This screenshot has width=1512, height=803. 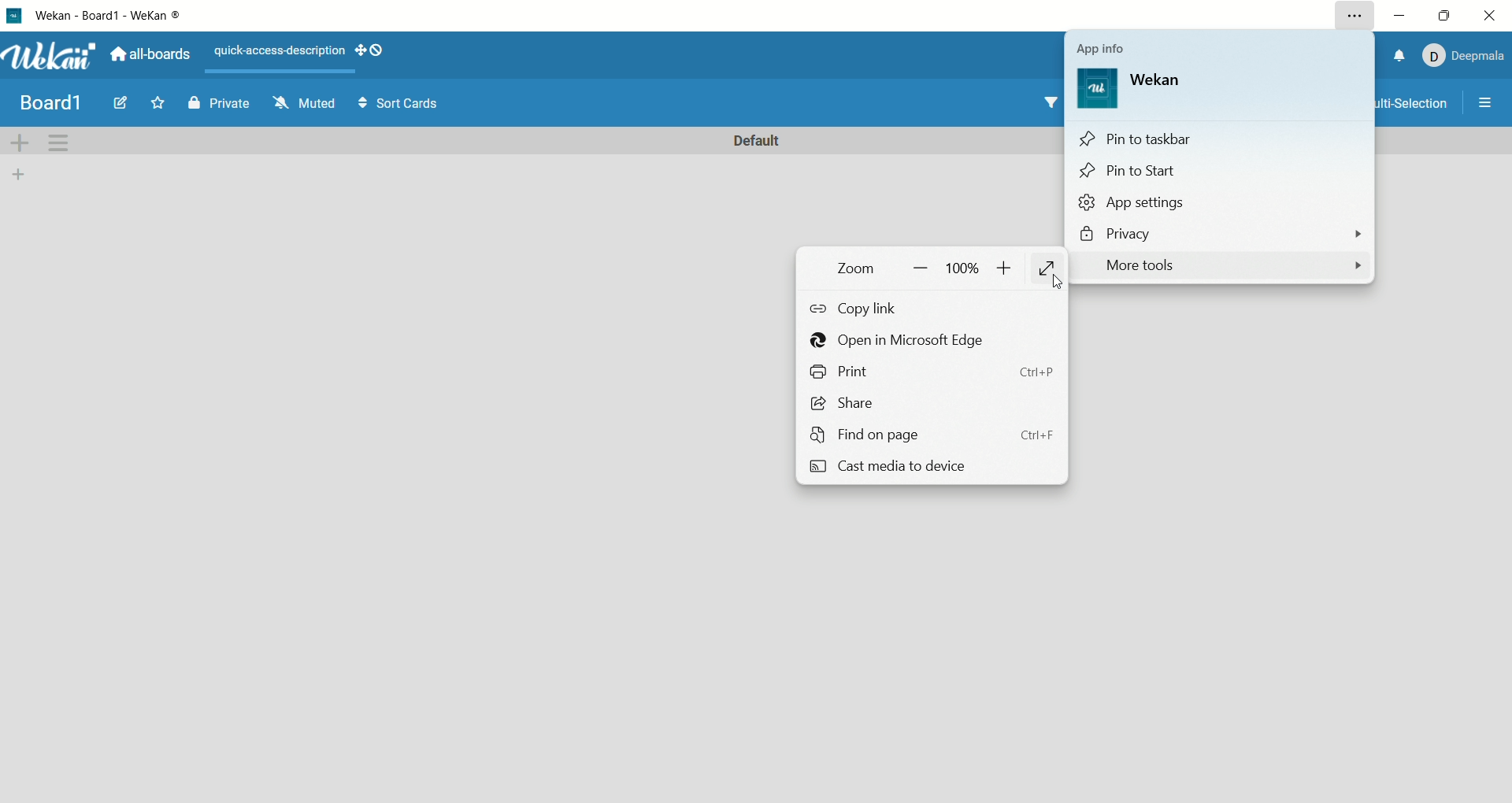 What do you see at coordinates (1355, 14) in the screenshot?
I see `settings and more` at bounding box center [1355, 14].